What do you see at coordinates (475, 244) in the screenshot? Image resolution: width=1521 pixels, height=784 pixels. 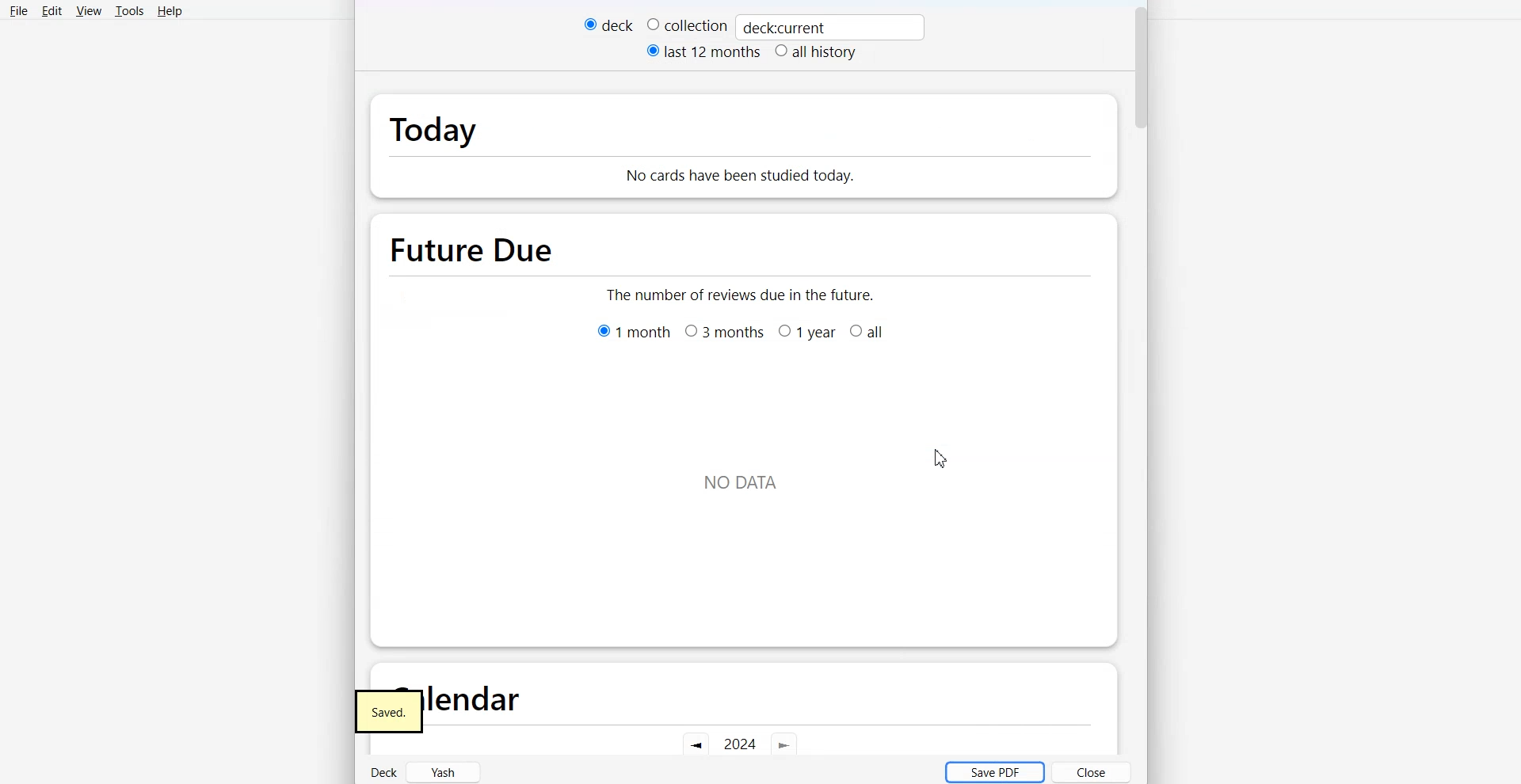 I see `Future Due` at bounding box center [475, 244].